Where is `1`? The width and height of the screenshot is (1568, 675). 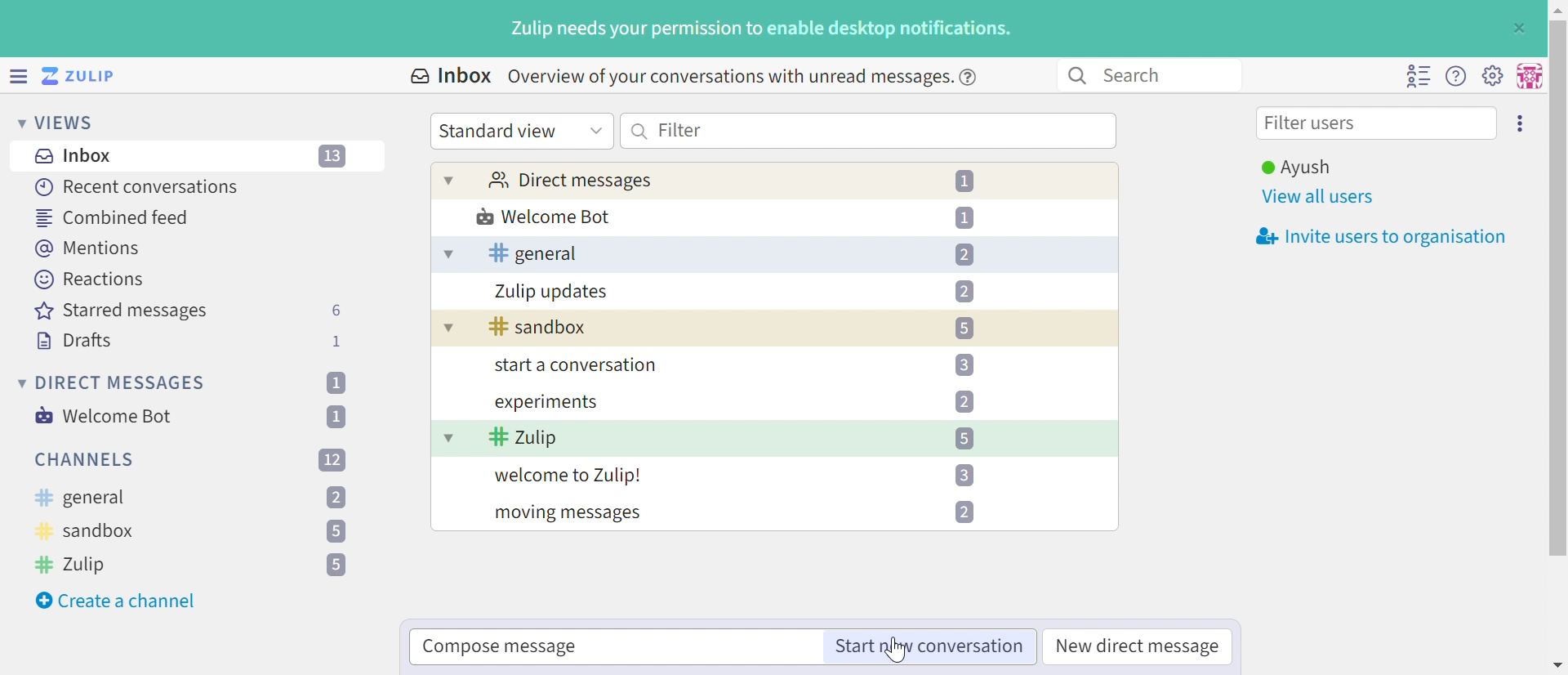 1 is located at coordinates (964, 217).